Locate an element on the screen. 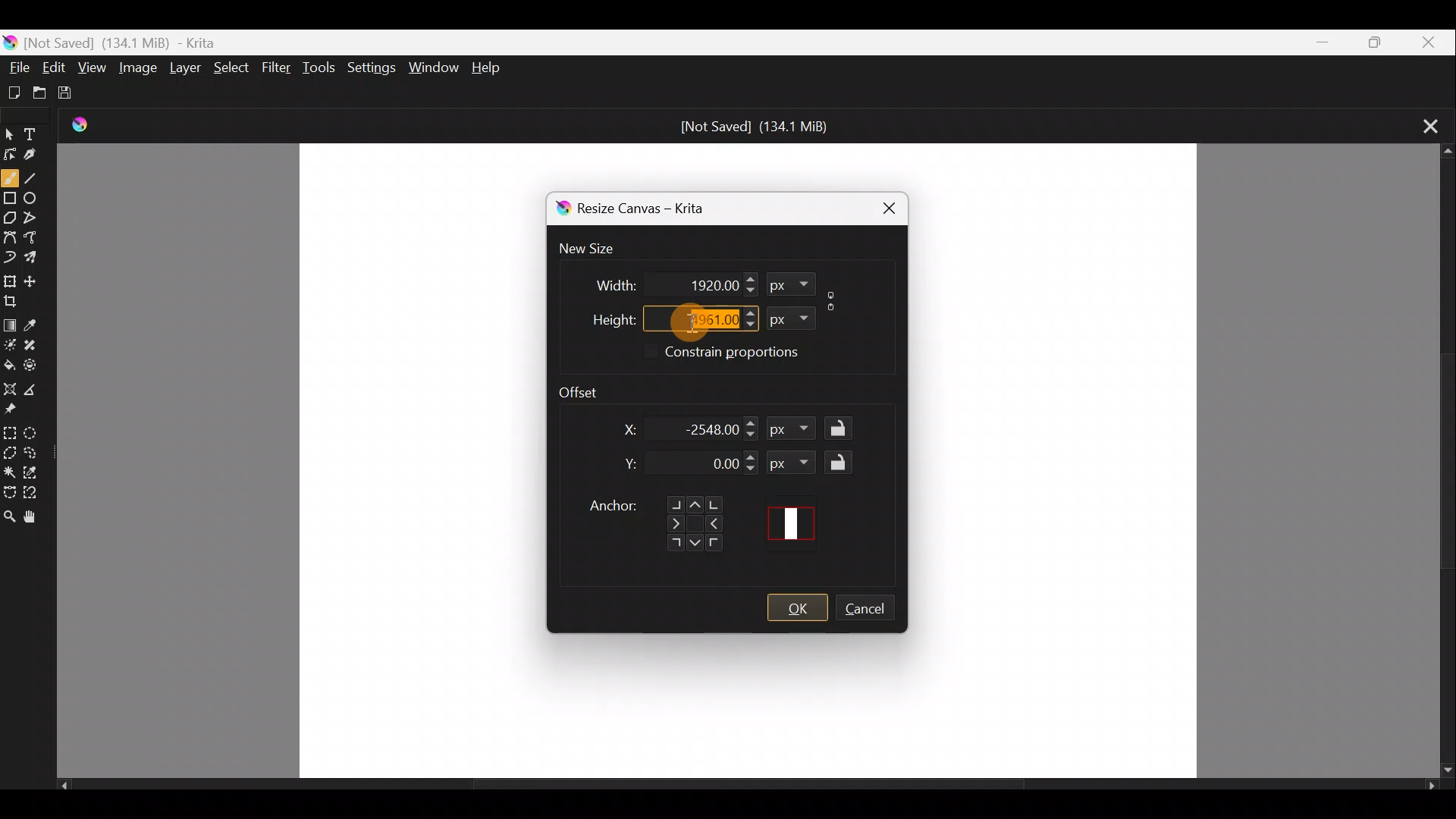  Enclose & fill tool is located at coordinates (37, 365).